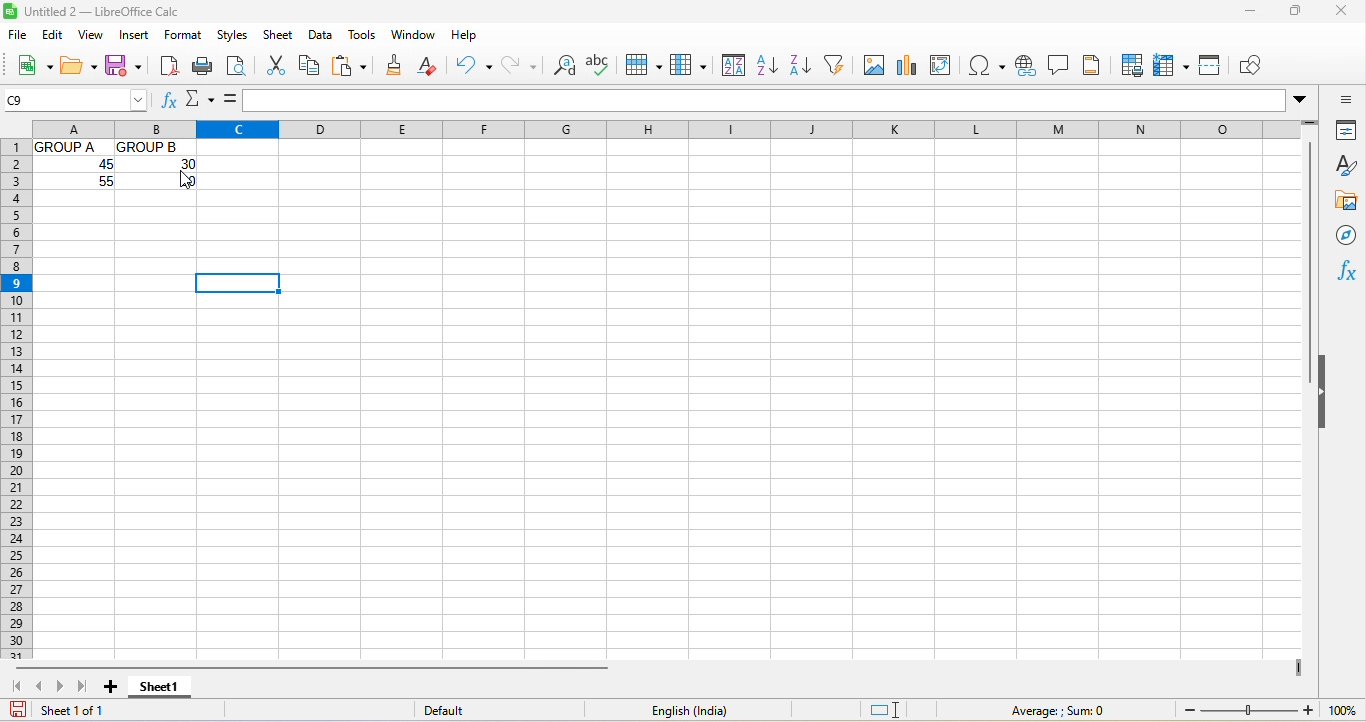 The width and height of the screenshot is (1366, 722). What do you see at coordinates (280, 35) in the screenshot?
I see `sheet` at bounding box center [280, 35].